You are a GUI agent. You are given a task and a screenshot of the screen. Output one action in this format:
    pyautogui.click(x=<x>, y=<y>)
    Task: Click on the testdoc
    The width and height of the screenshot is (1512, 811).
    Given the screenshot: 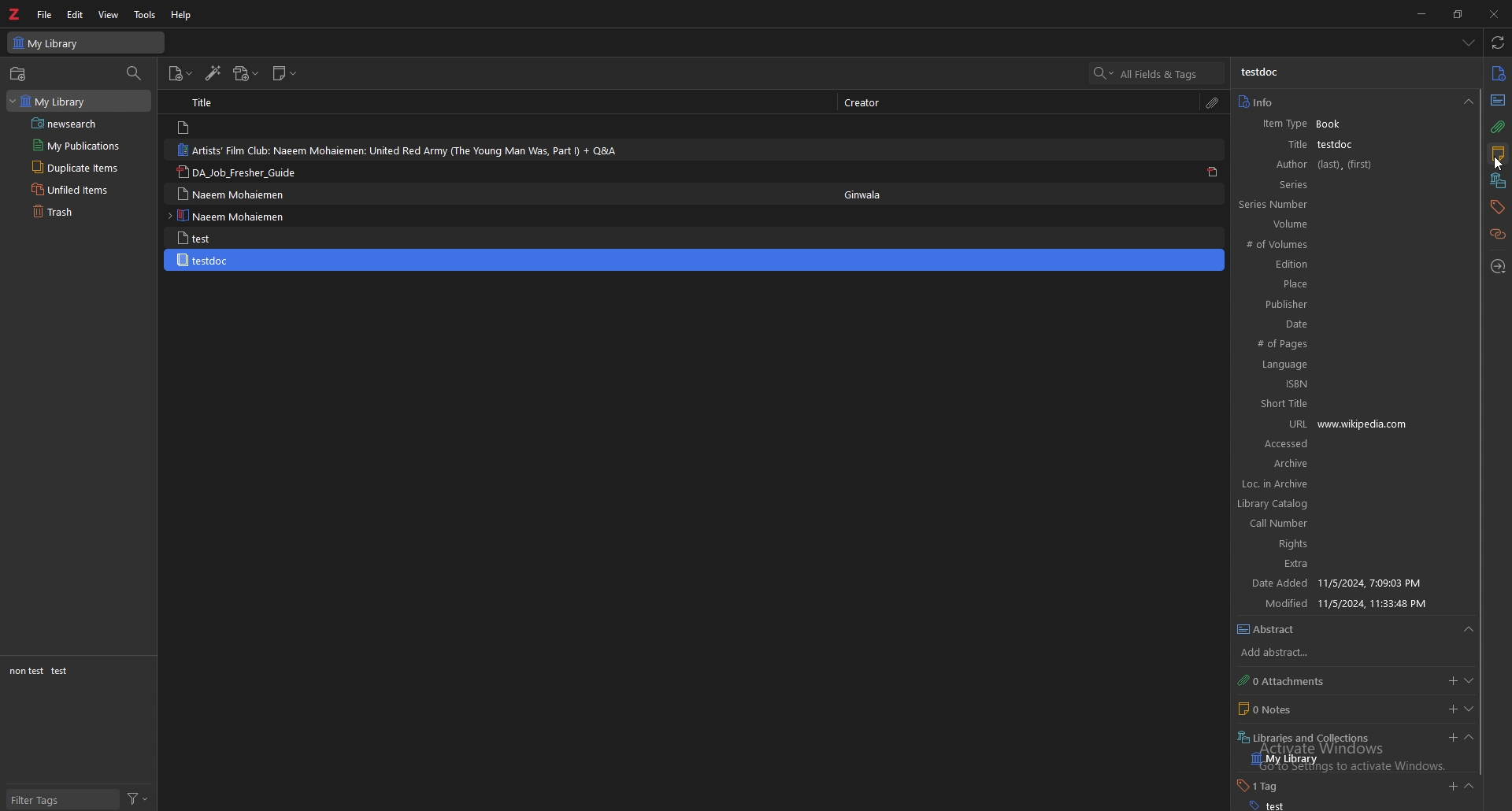 What is the action you would take?
    pyautogui.click(x=697, y=259)
    